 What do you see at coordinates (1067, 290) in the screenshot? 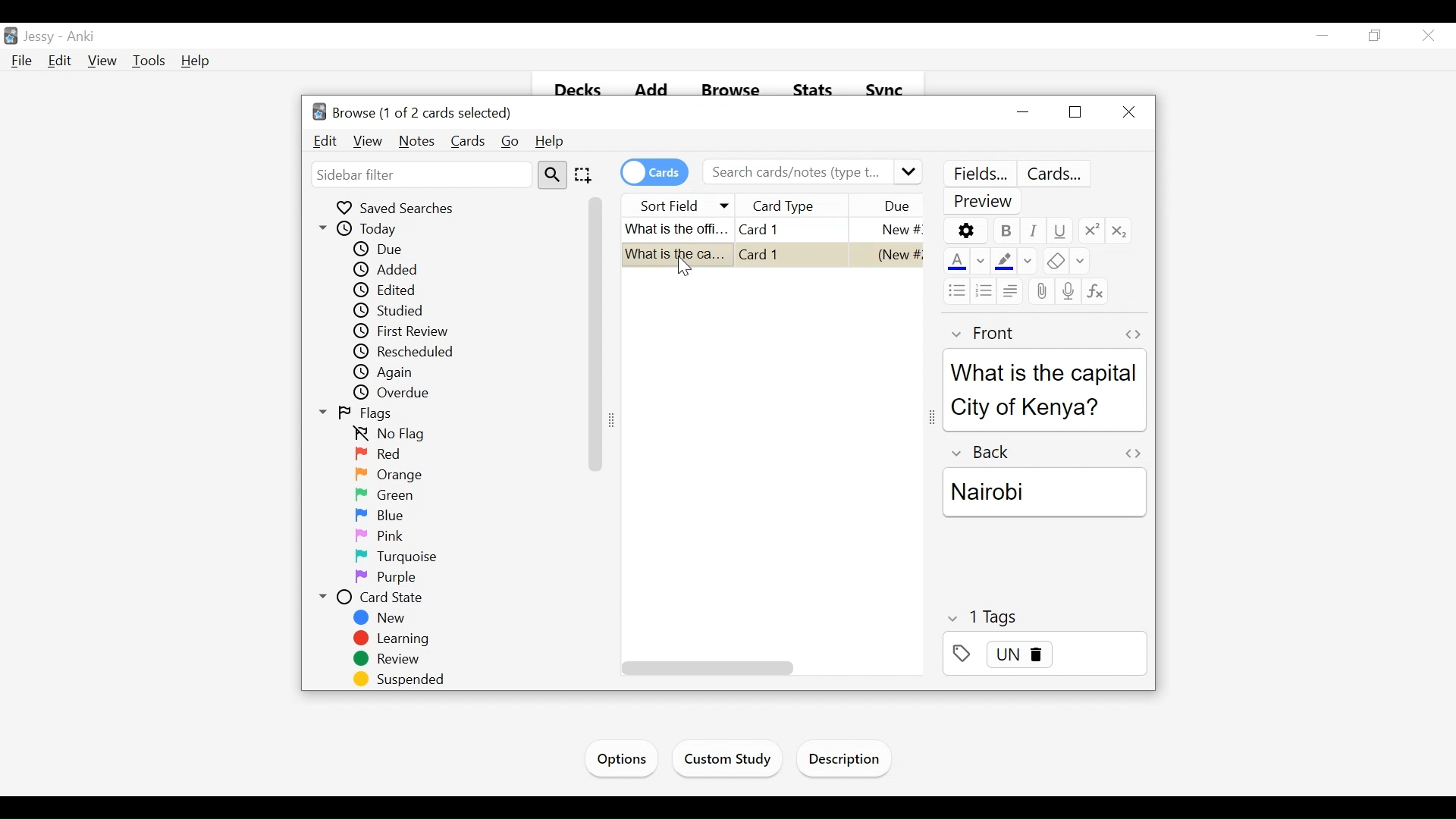
I see `Record audio` at bounding box center [1067, 290].